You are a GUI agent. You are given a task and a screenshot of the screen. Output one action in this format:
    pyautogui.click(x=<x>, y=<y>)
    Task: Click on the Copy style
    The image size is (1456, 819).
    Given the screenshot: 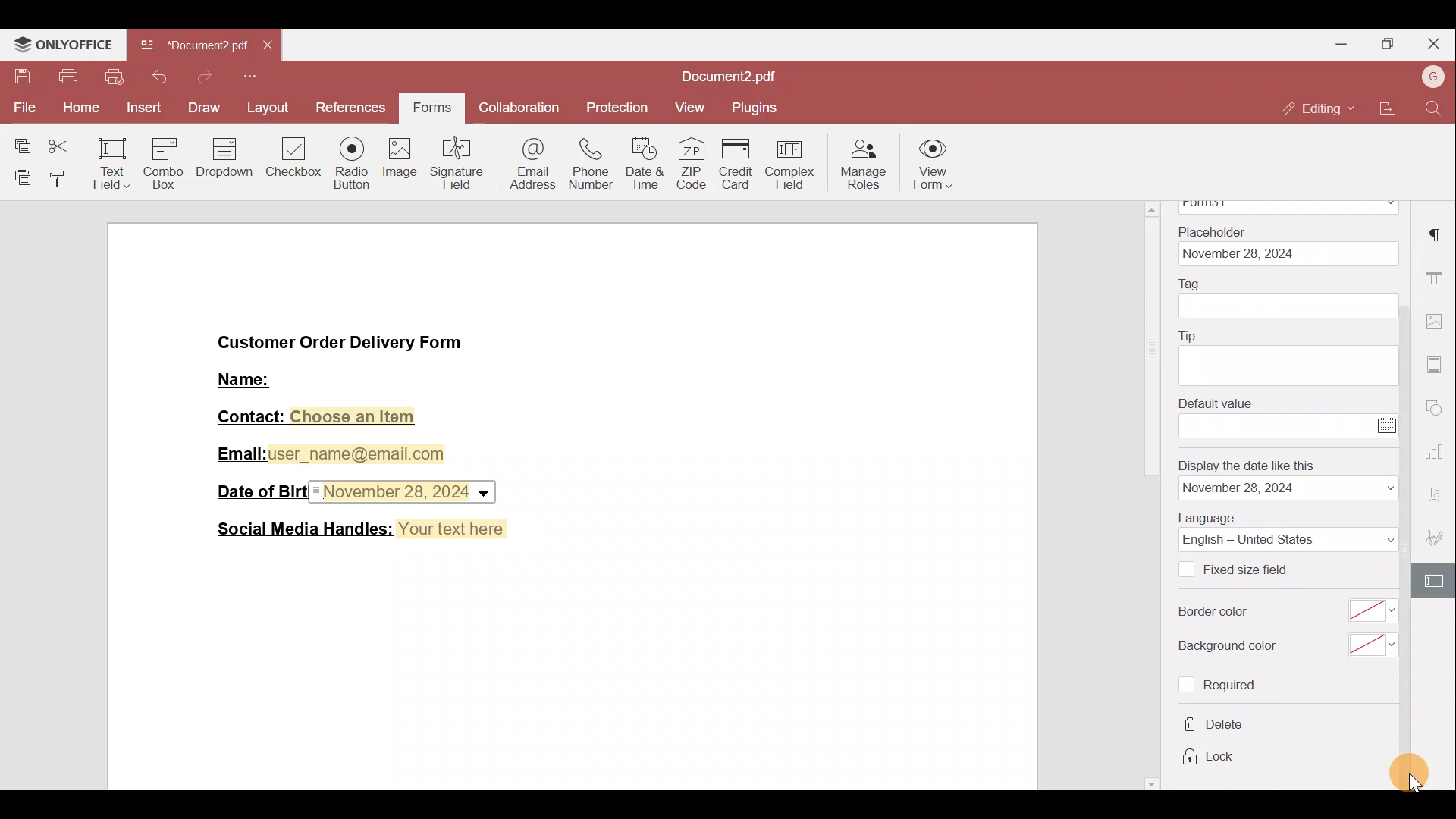 What is the action you would take?
    pyautogui.click(x=61, y=176)
    